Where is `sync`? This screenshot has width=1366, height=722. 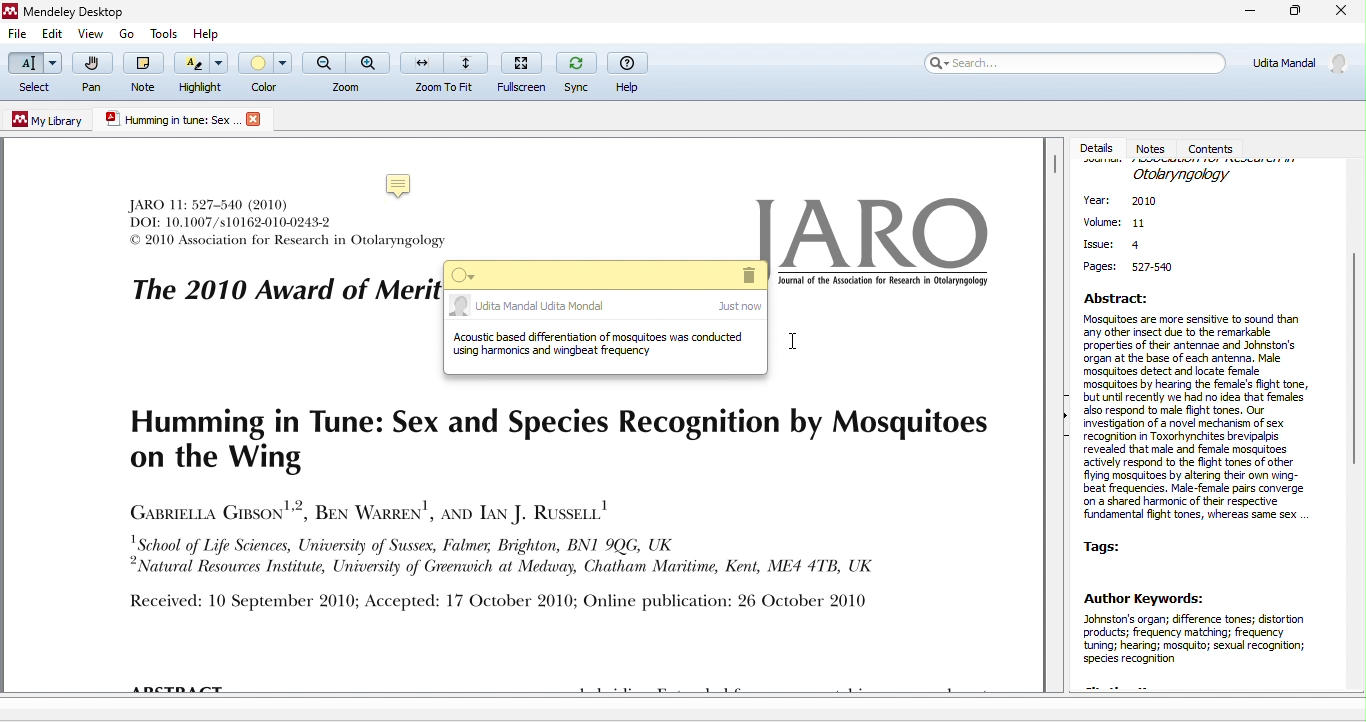 sync is located at coordinates (574, 71).